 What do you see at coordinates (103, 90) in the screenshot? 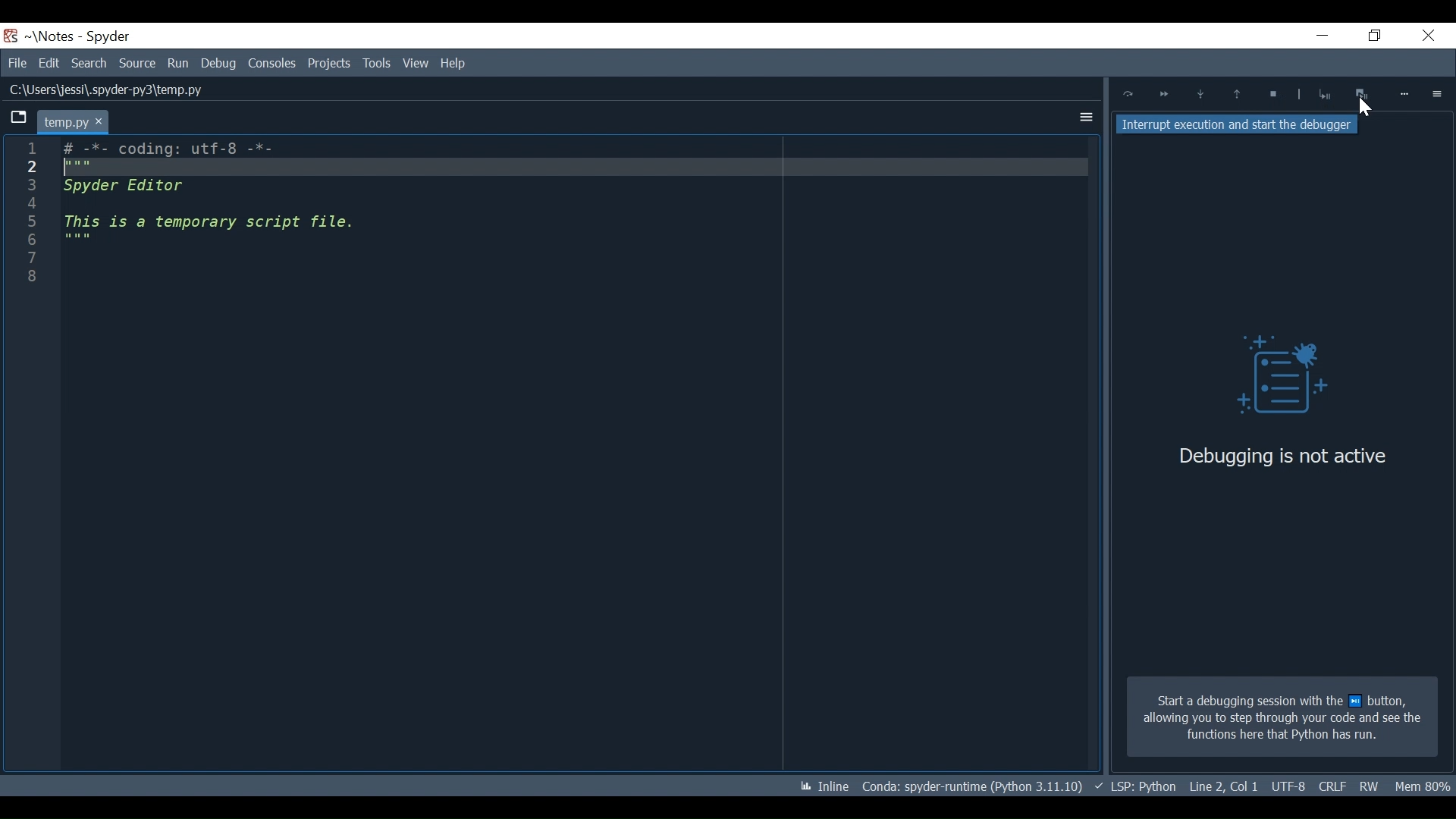
I see `File Path` at bounding box center [103, 90].